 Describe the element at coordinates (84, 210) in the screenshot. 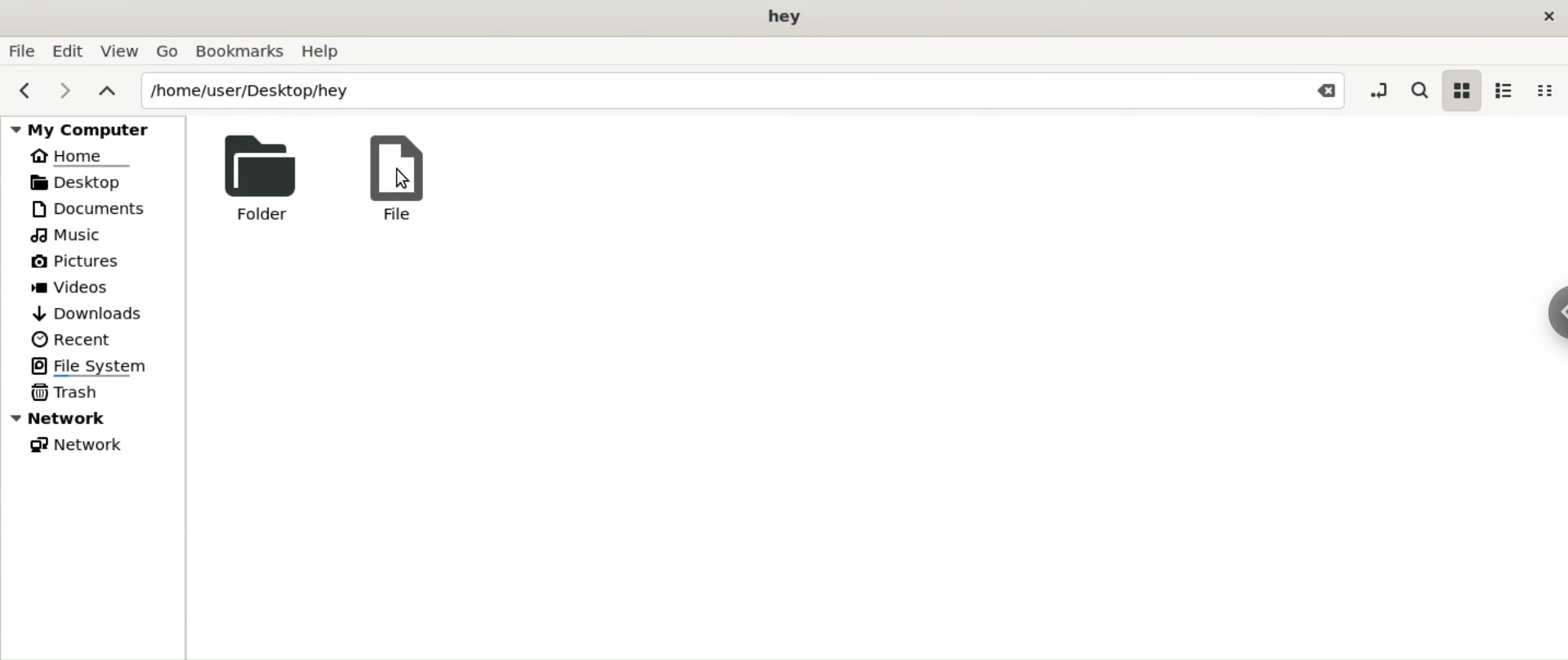

I see `Documents` at that location.